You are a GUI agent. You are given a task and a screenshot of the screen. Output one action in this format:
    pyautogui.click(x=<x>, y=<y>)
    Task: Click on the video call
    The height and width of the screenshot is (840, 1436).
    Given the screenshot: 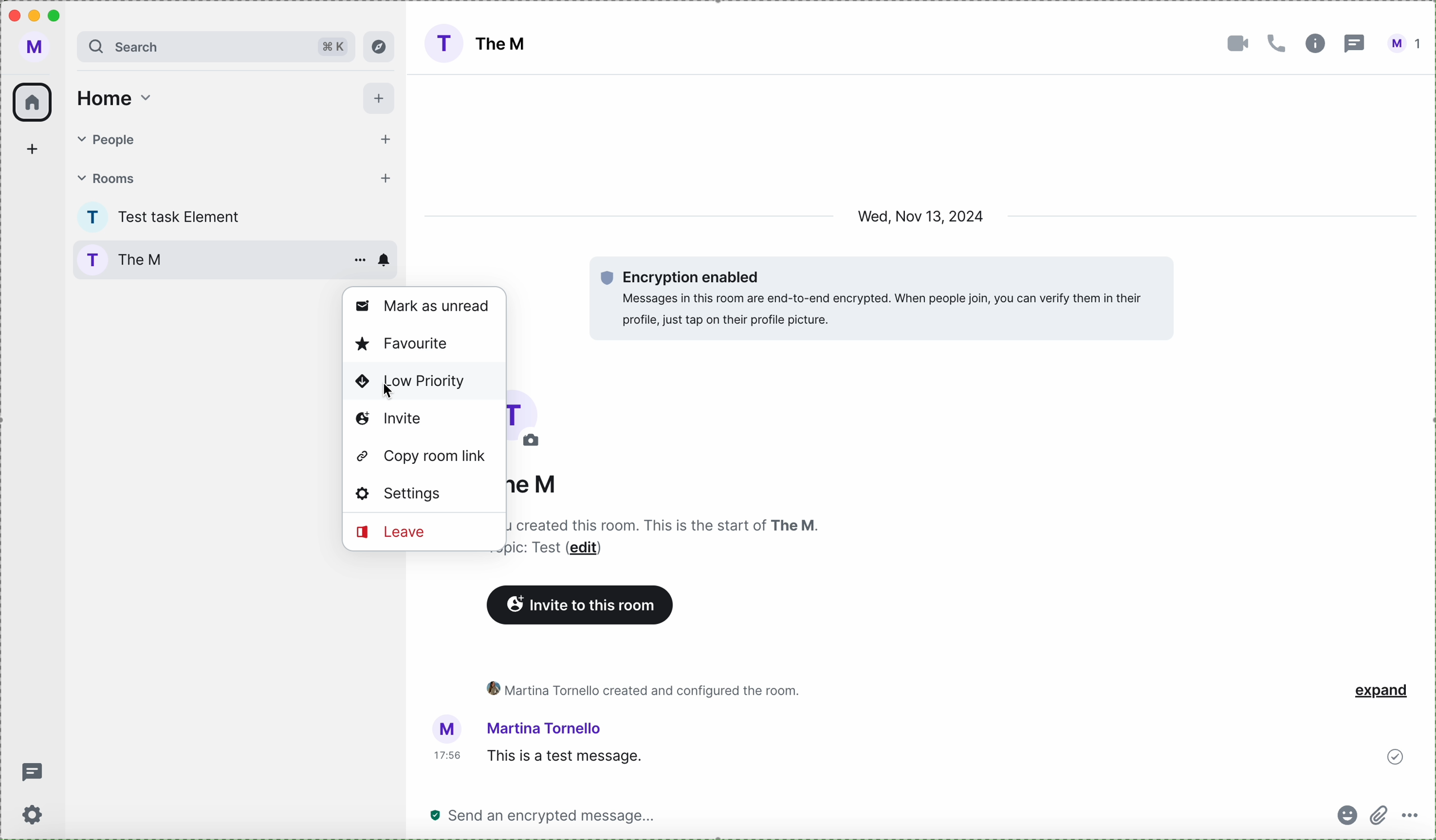 What is the action you would take?
    pyautogui.click(x=1237, y=44)
    